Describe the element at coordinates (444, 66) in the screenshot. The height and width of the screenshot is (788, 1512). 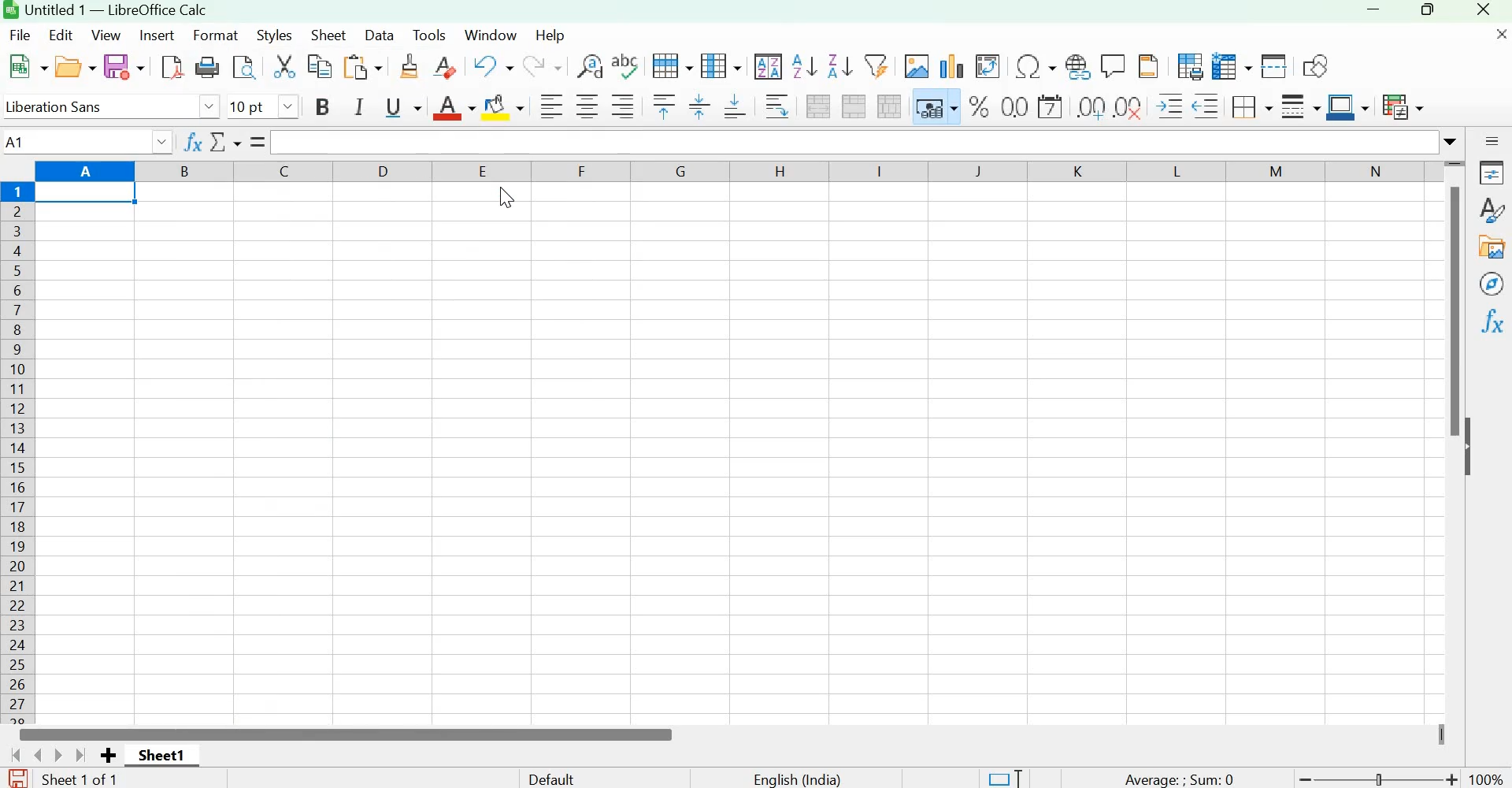
I see `Clear direct formatting` at that location.